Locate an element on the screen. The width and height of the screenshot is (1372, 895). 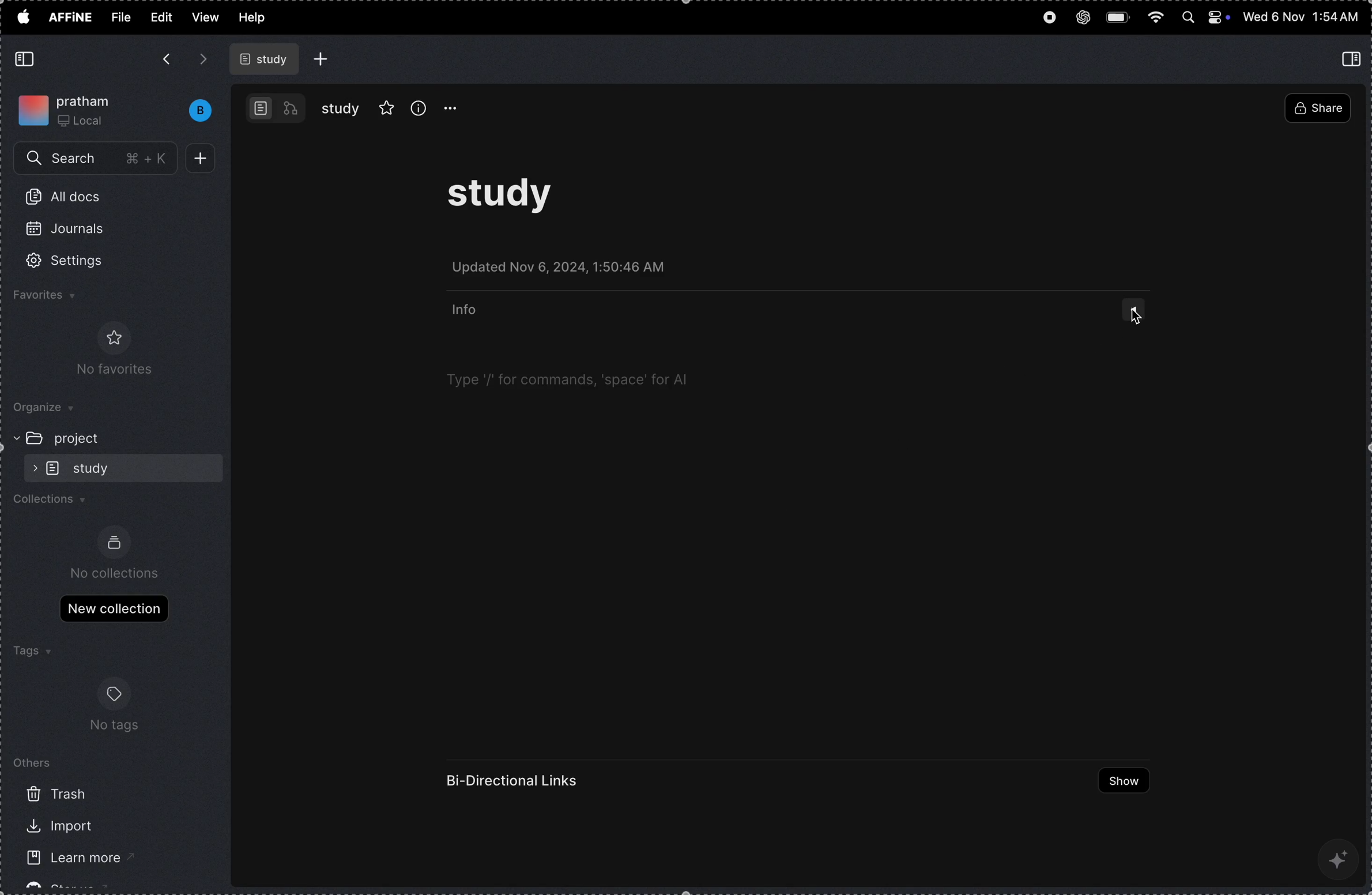
work bench is located at coordinates (276, 107).